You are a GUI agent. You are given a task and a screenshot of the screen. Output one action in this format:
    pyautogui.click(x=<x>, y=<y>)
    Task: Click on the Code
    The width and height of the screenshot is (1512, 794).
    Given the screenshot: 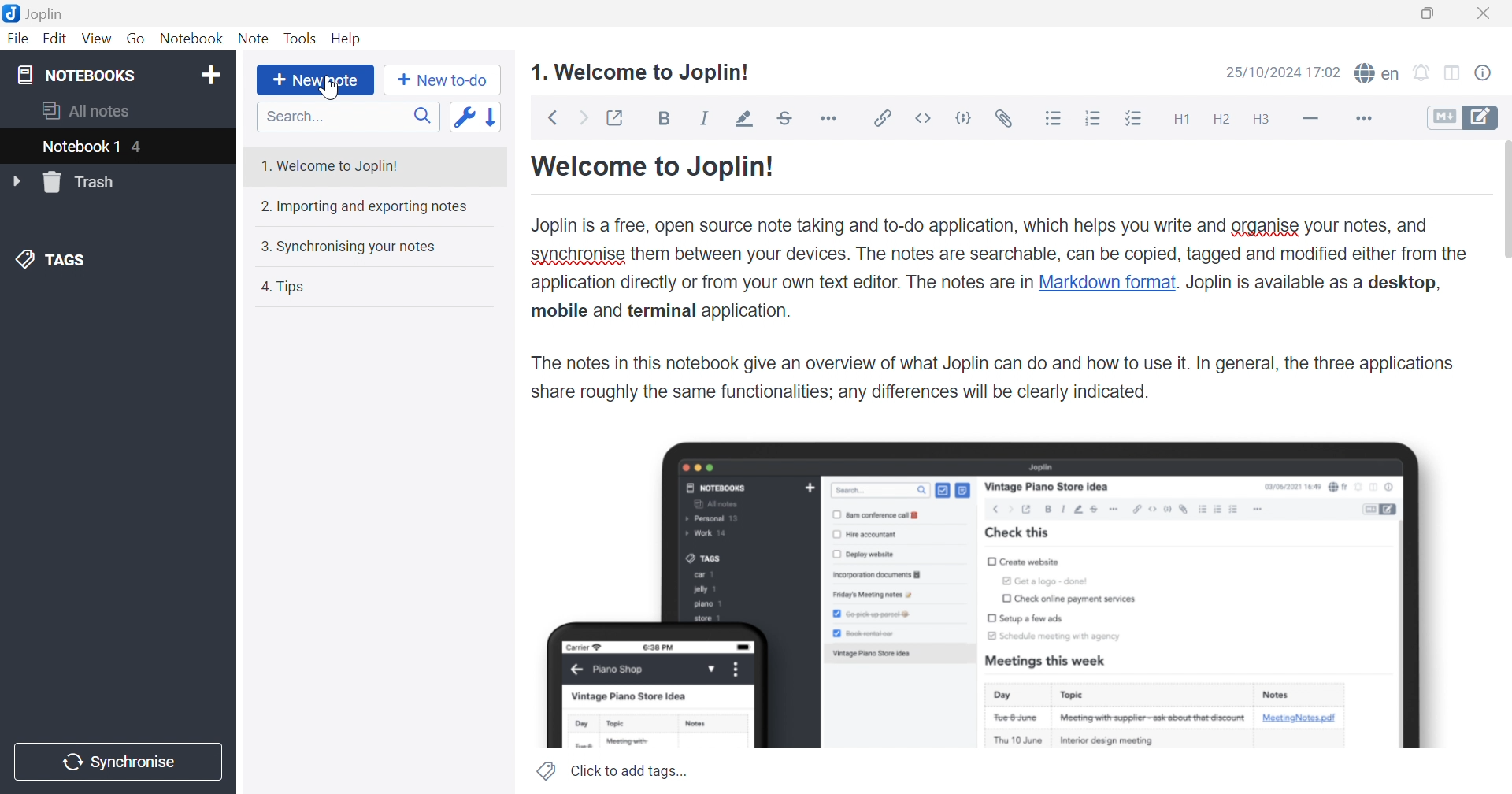 What is the action you would take?
    pyautogui.click(x=965, y=118)
    